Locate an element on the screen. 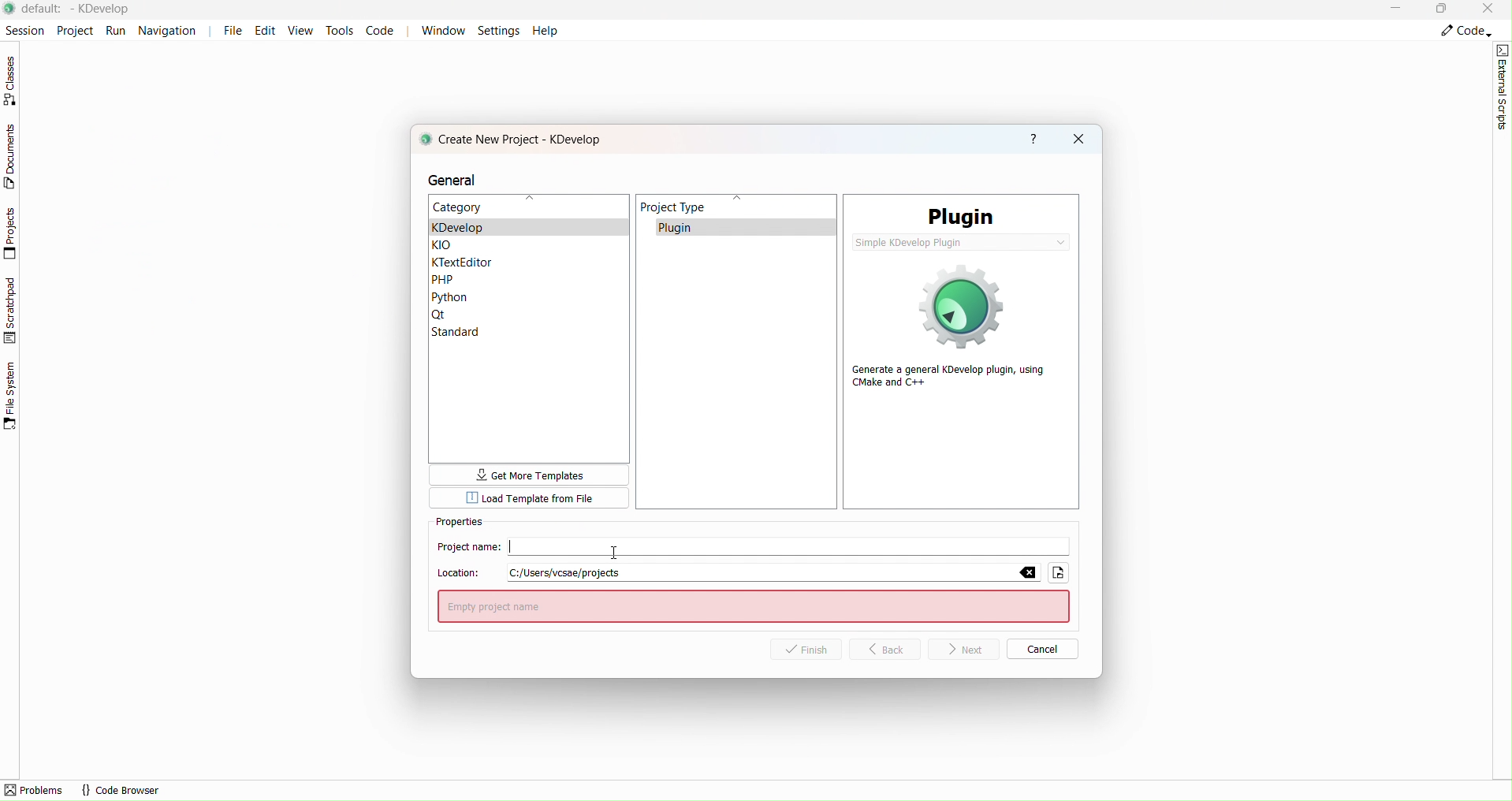 Image resolution: width=1512 pixels, height=801 pixels. KLO is located at coordinates (459, 244).